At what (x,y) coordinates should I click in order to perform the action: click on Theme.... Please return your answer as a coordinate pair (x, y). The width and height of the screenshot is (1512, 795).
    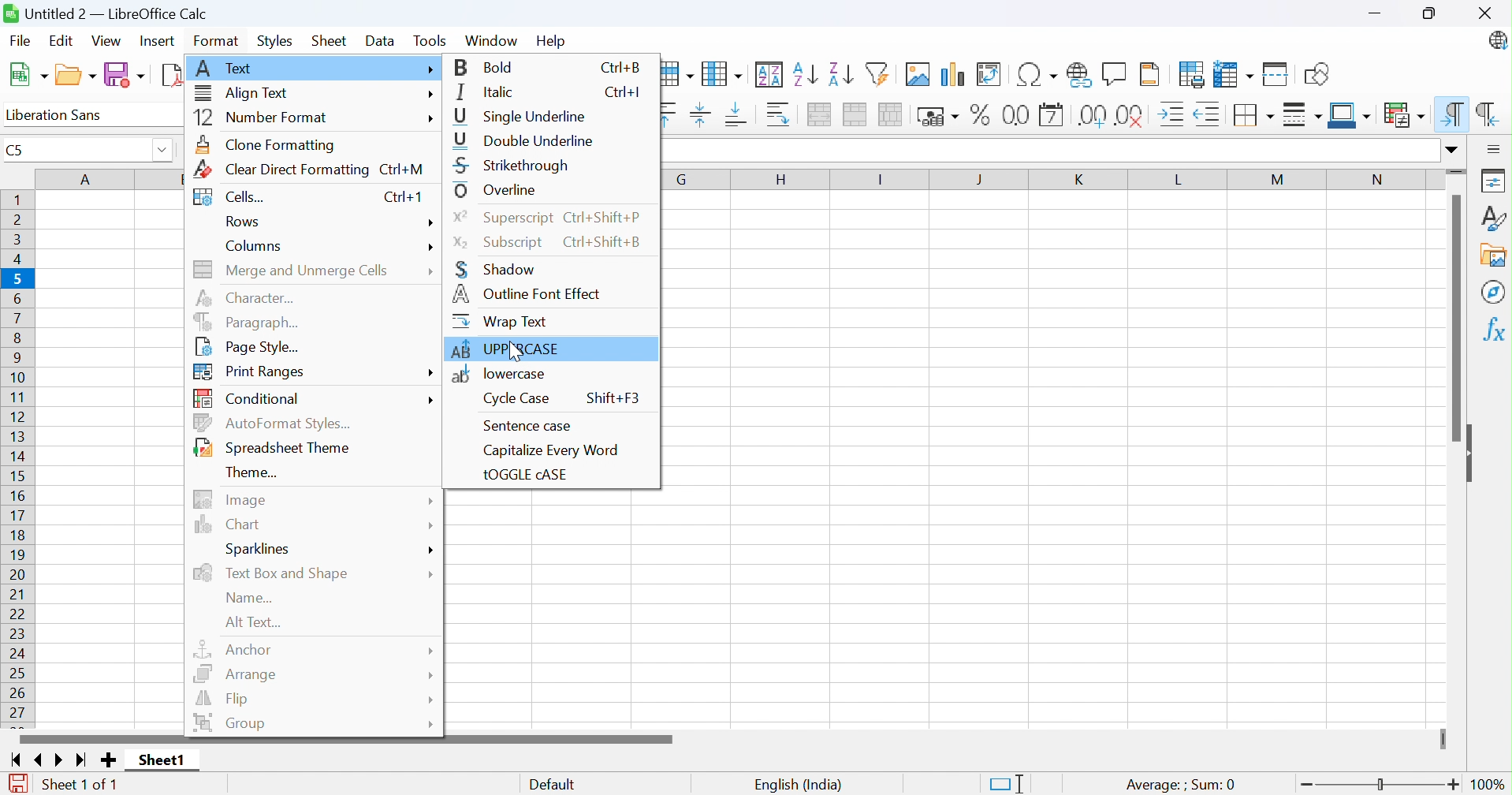
    Looking at the image, I should click on (251, 472).